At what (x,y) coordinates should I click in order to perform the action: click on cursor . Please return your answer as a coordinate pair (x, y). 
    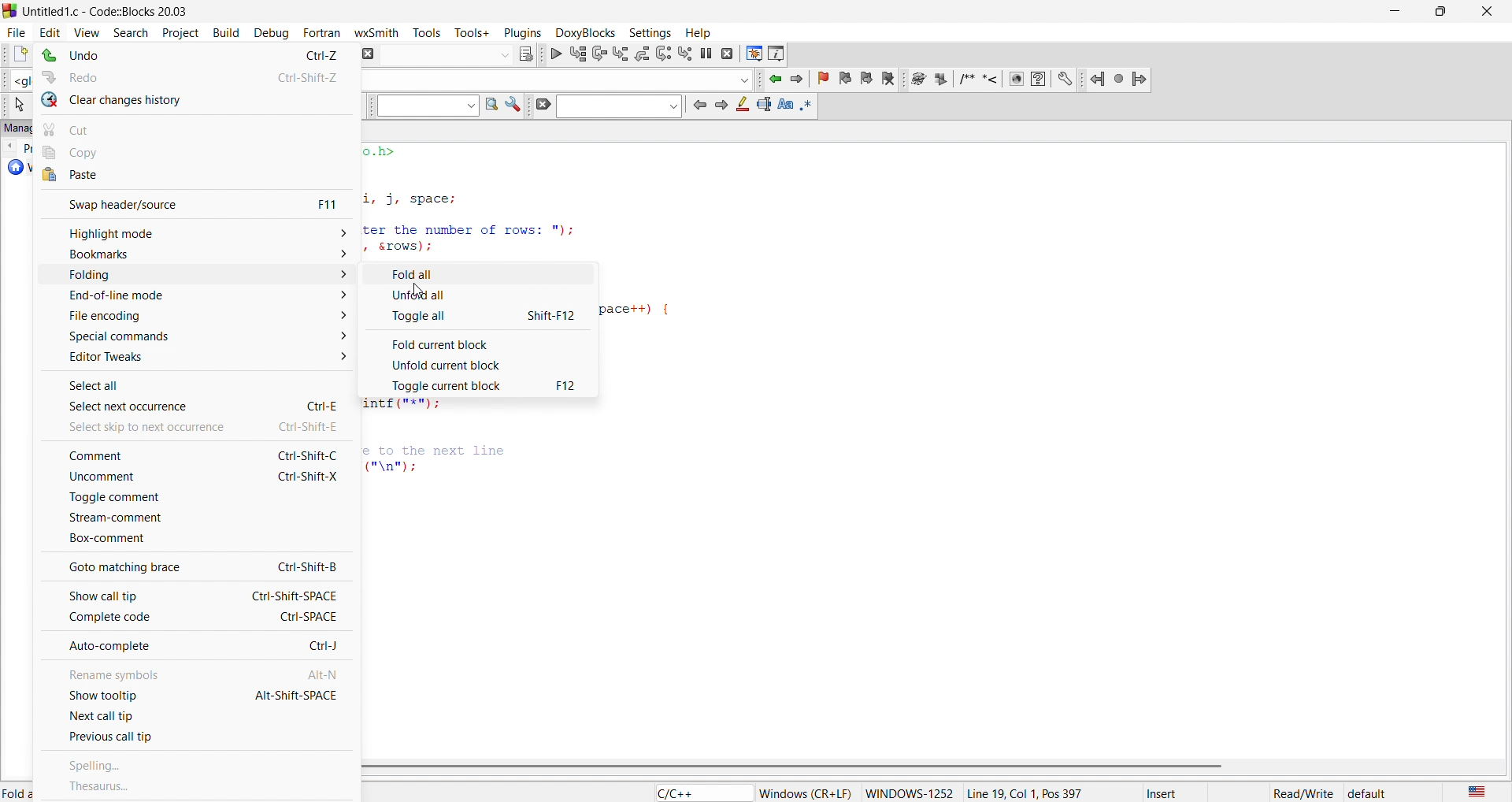
    Looking at the image, I should click on (420, 288).